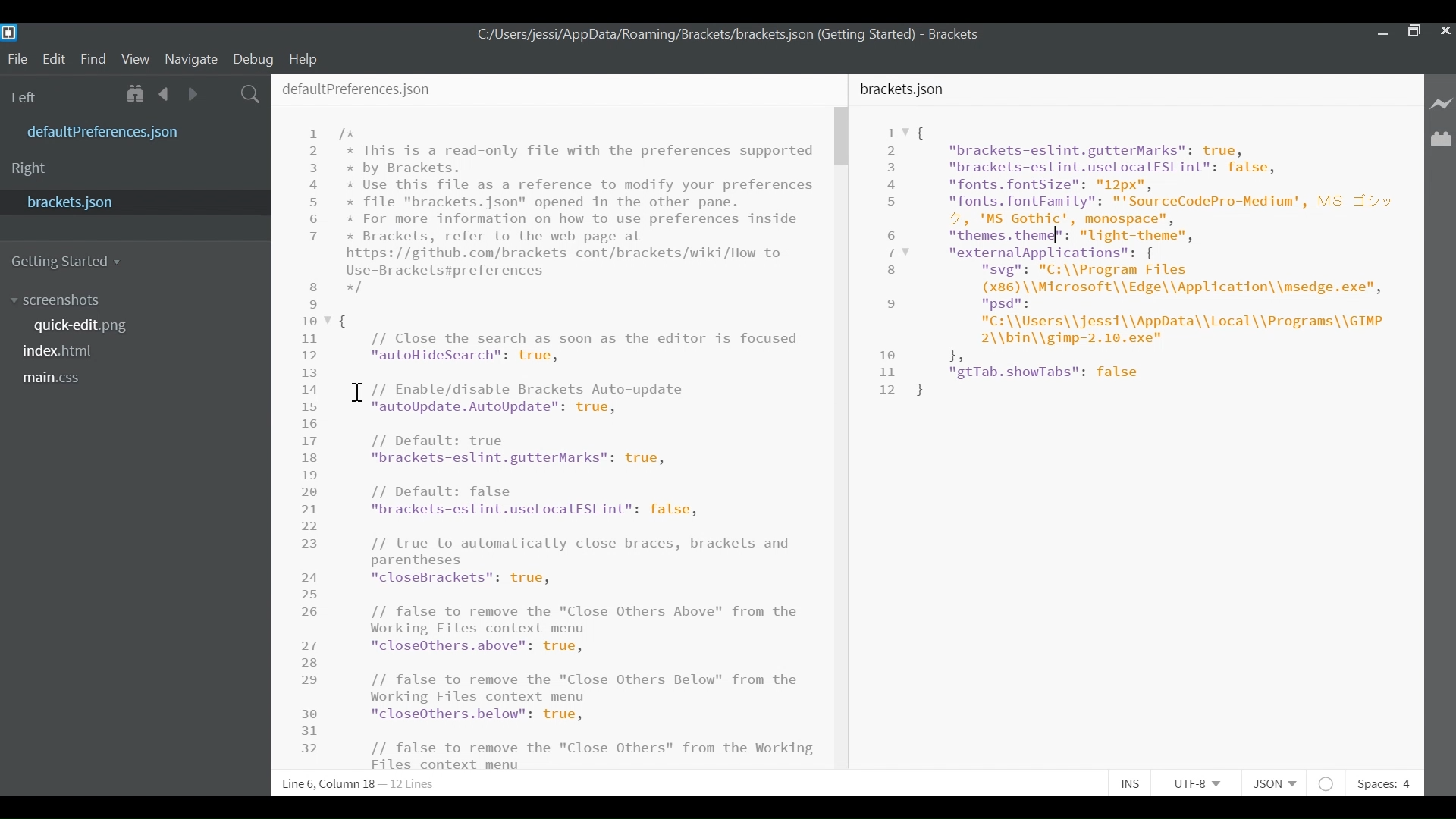 The height and width of the screenshot is (819, 1456). Describe the element at coordinates (54, 58) in the screenshot. I see `Edit` at that location.